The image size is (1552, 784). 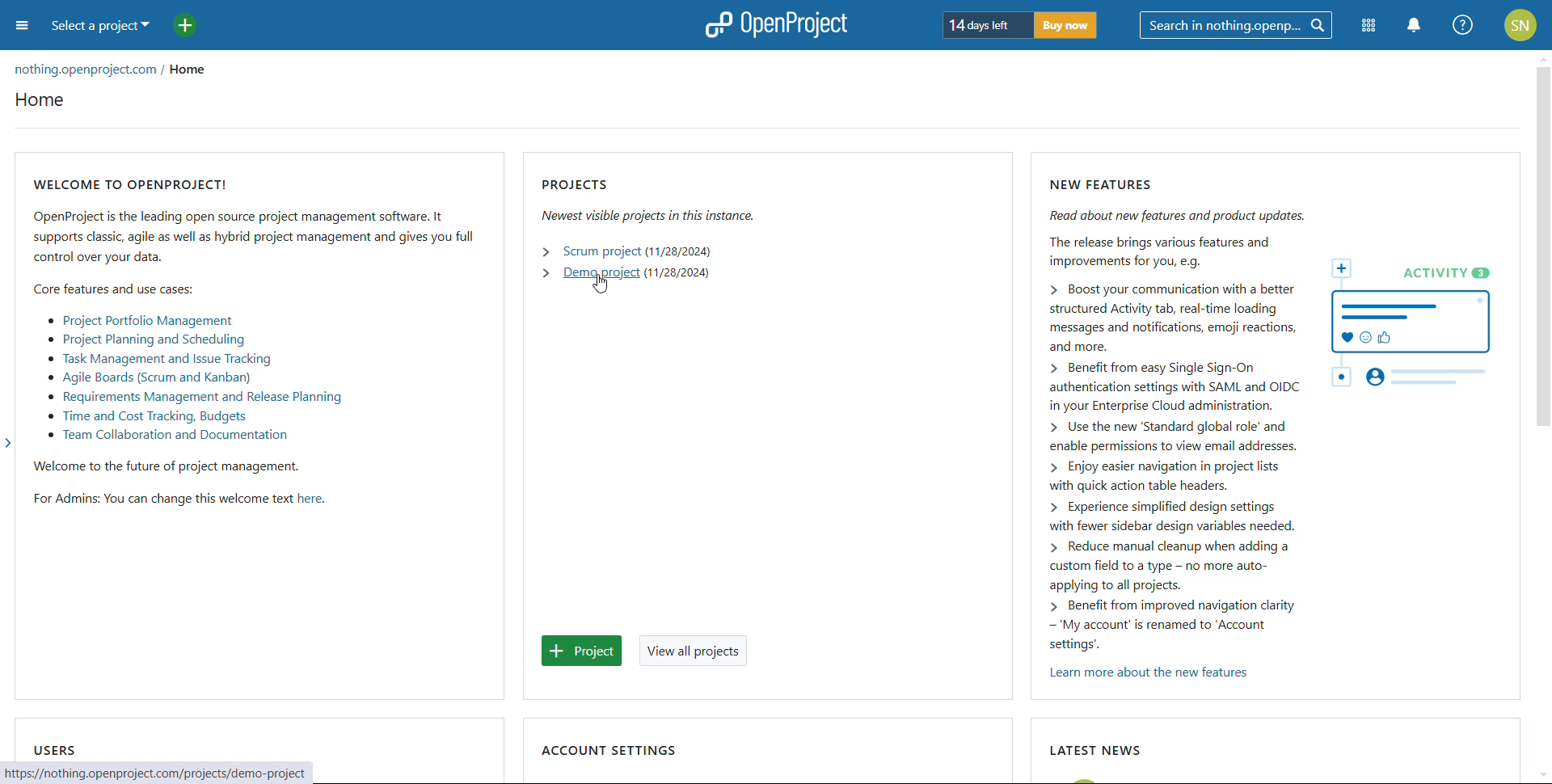 I want to click on WELCOME TO OPENPROJECT!, so click(x=133, y=179).